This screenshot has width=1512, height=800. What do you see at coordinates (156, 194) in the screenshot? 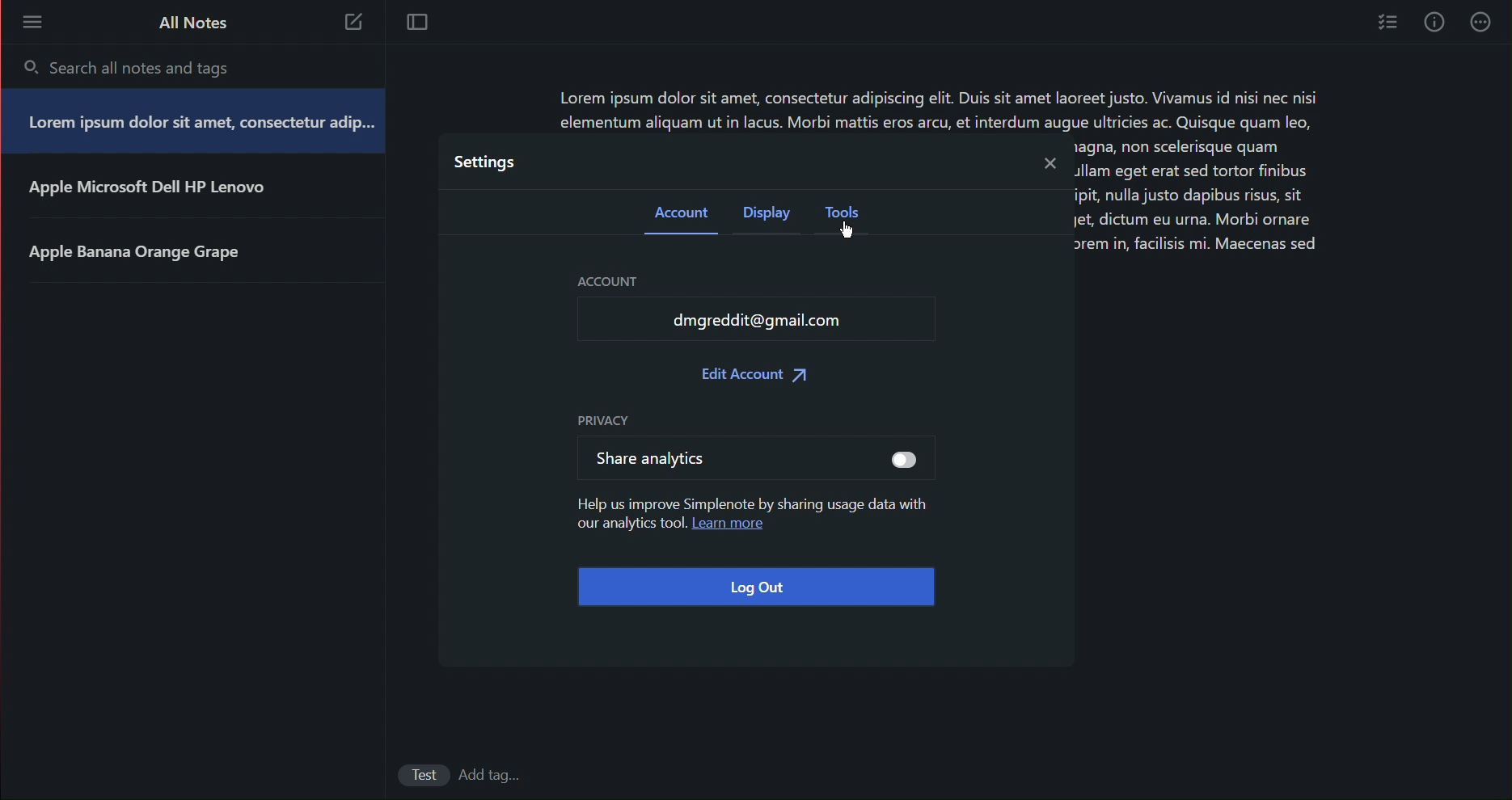
I see `Apple Microsoft Dell HP Lenovo` at bounding box center [156, 194].